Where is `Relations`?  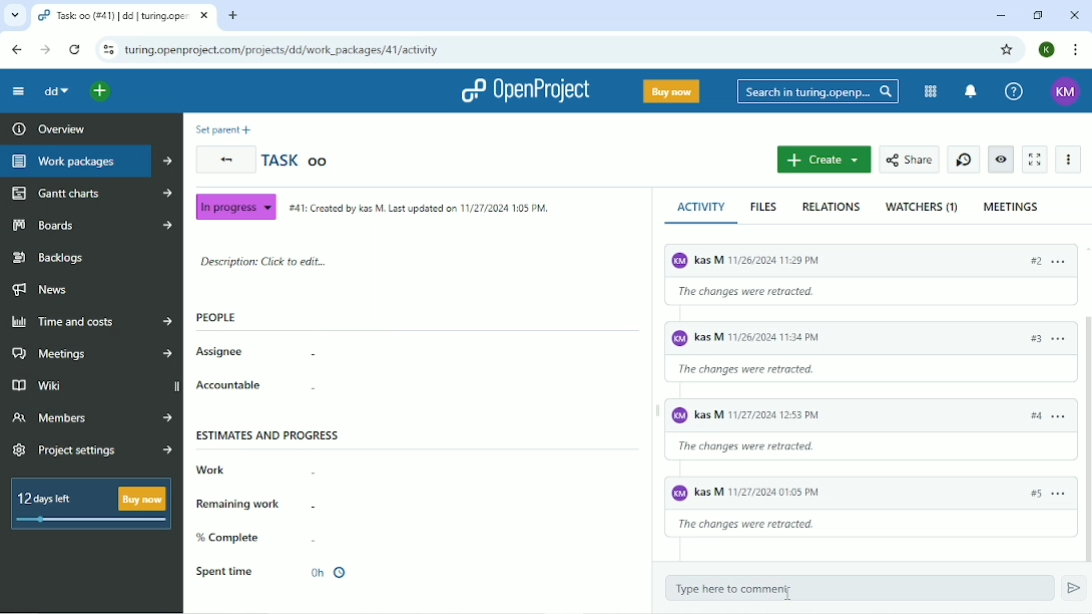
Relations is located at coordinates (831, 206).